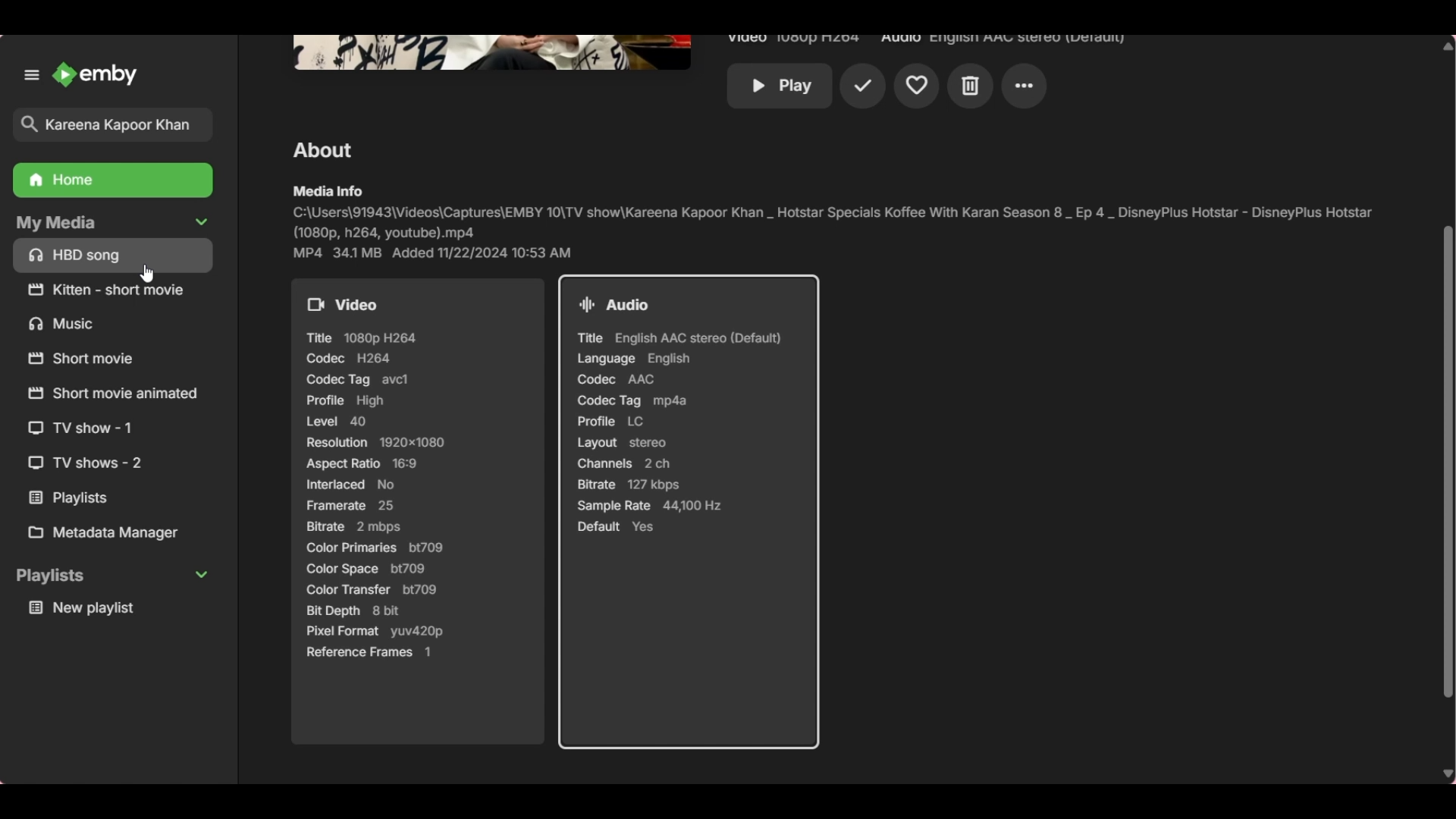 The height and width of the screenshot is (819, 1456). Describe the element at coordinates (102, 325) in the screenshot. I see `` at that location.